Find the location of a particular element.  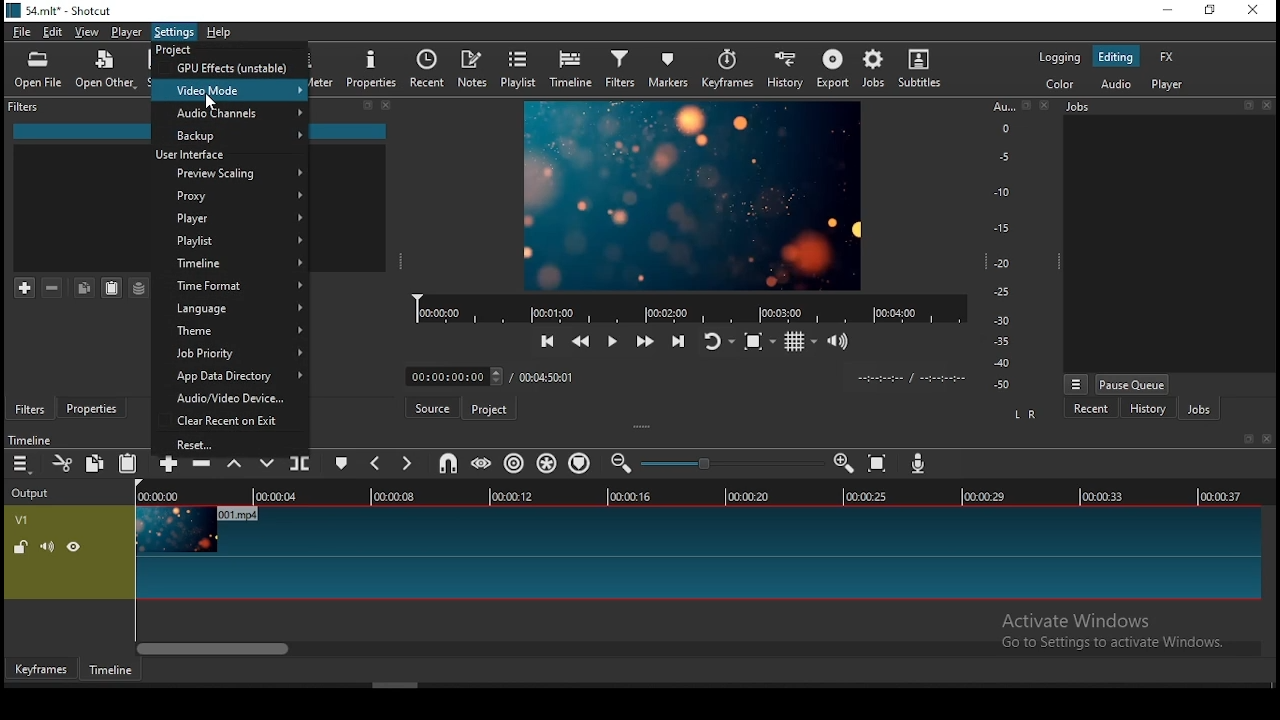

jobs is located at coordinates (1080, 106).